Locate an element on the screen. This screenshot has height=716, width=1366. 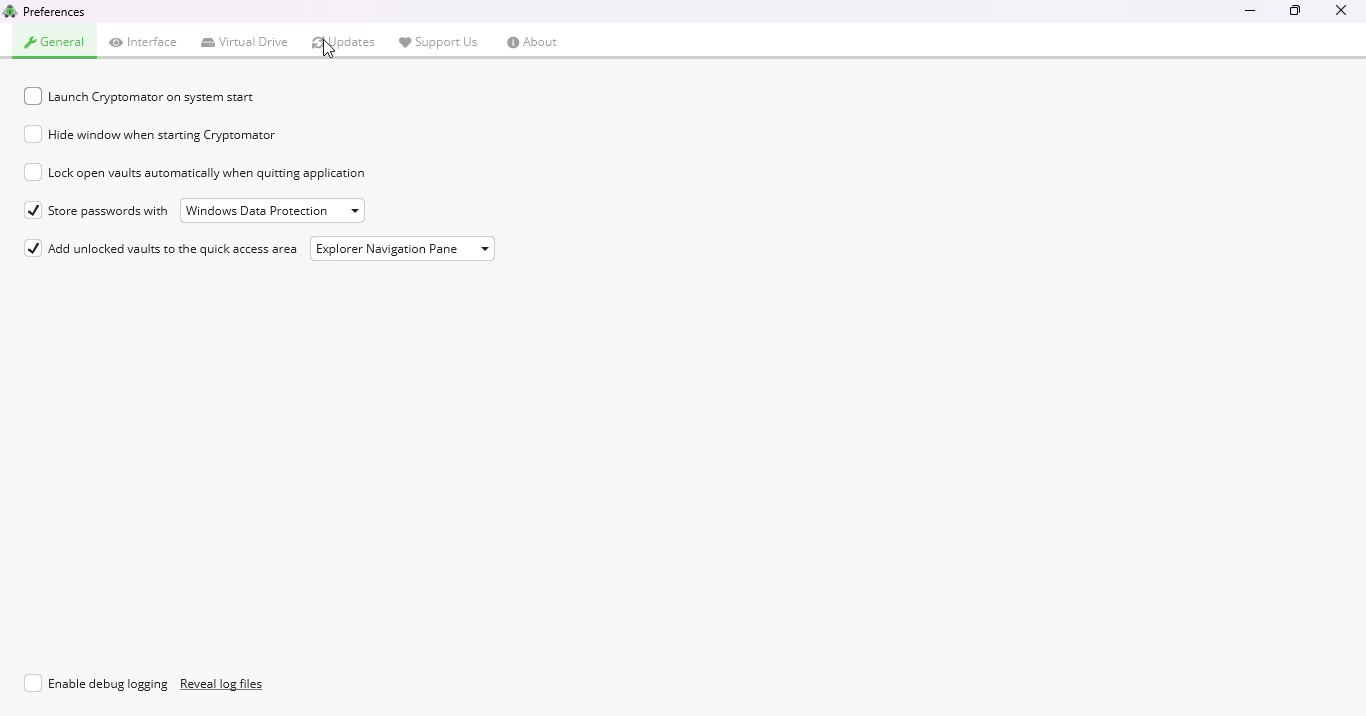
updates is located at coordinates (344, 42).